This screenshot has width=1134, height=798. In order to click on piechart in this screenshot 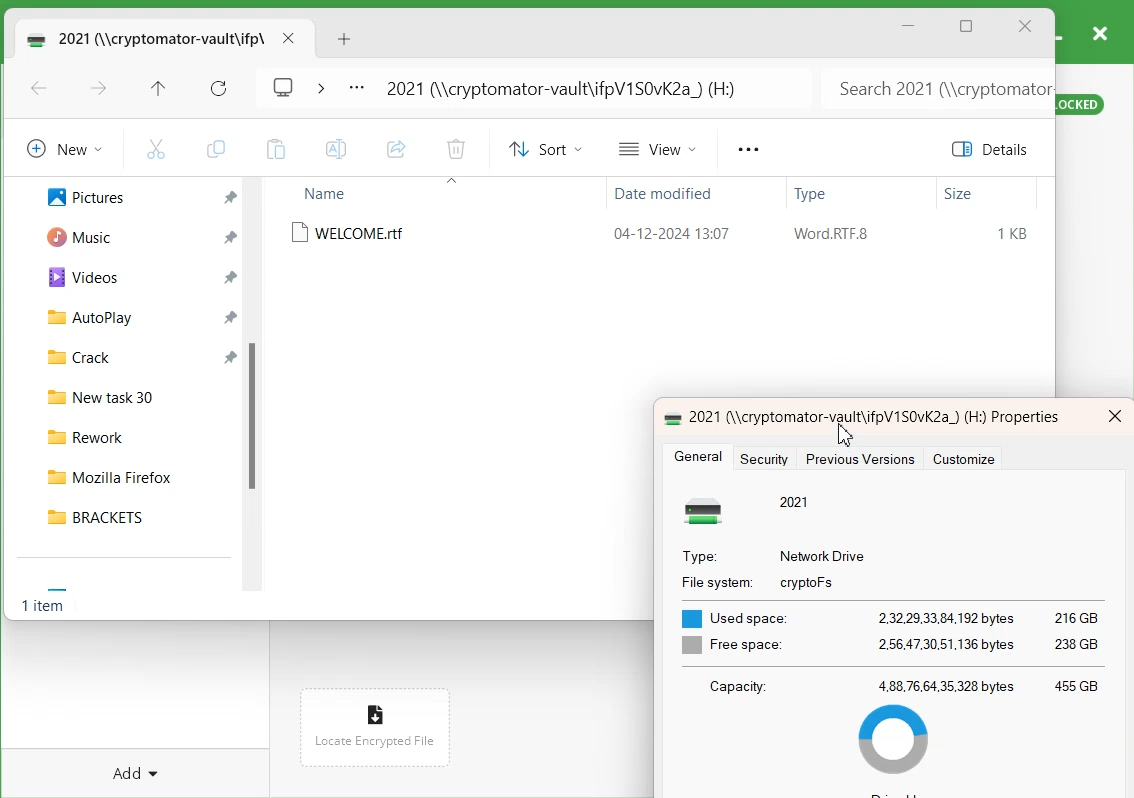, I will do `click(898, 743)`.